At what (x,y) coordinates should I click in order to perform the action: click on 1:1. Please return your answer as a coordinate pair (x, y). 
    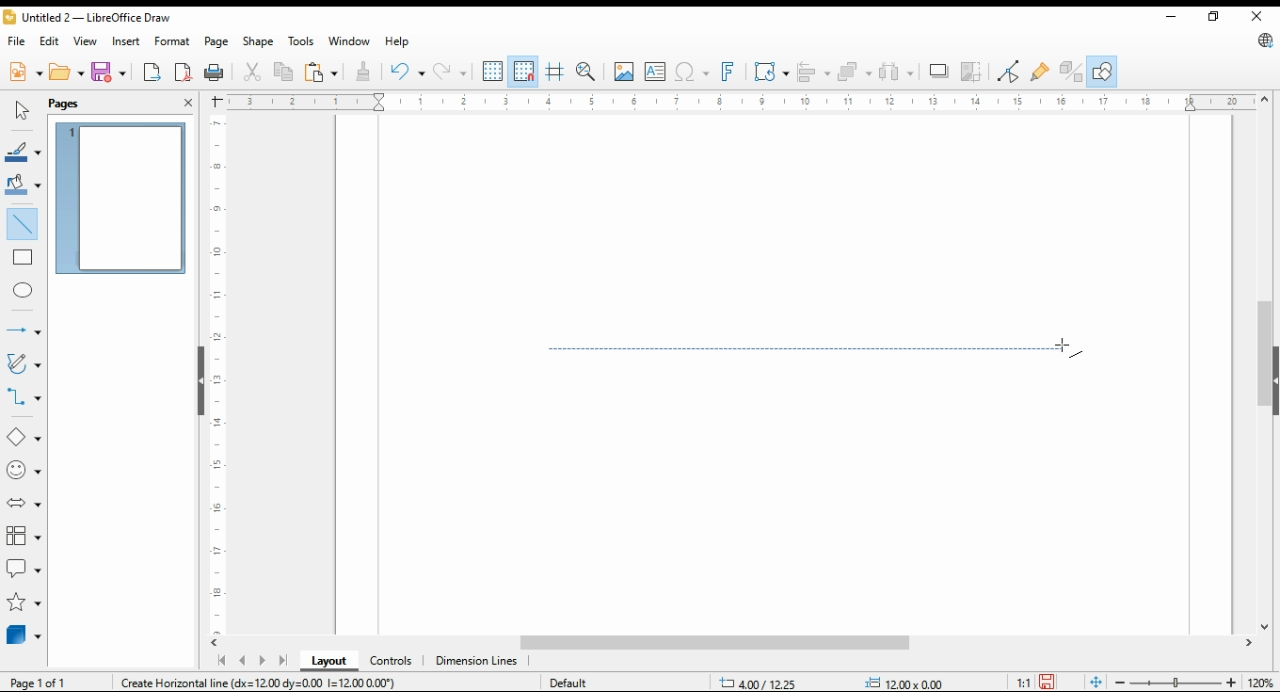
    Looking at the image, I should click on (1023, 681).